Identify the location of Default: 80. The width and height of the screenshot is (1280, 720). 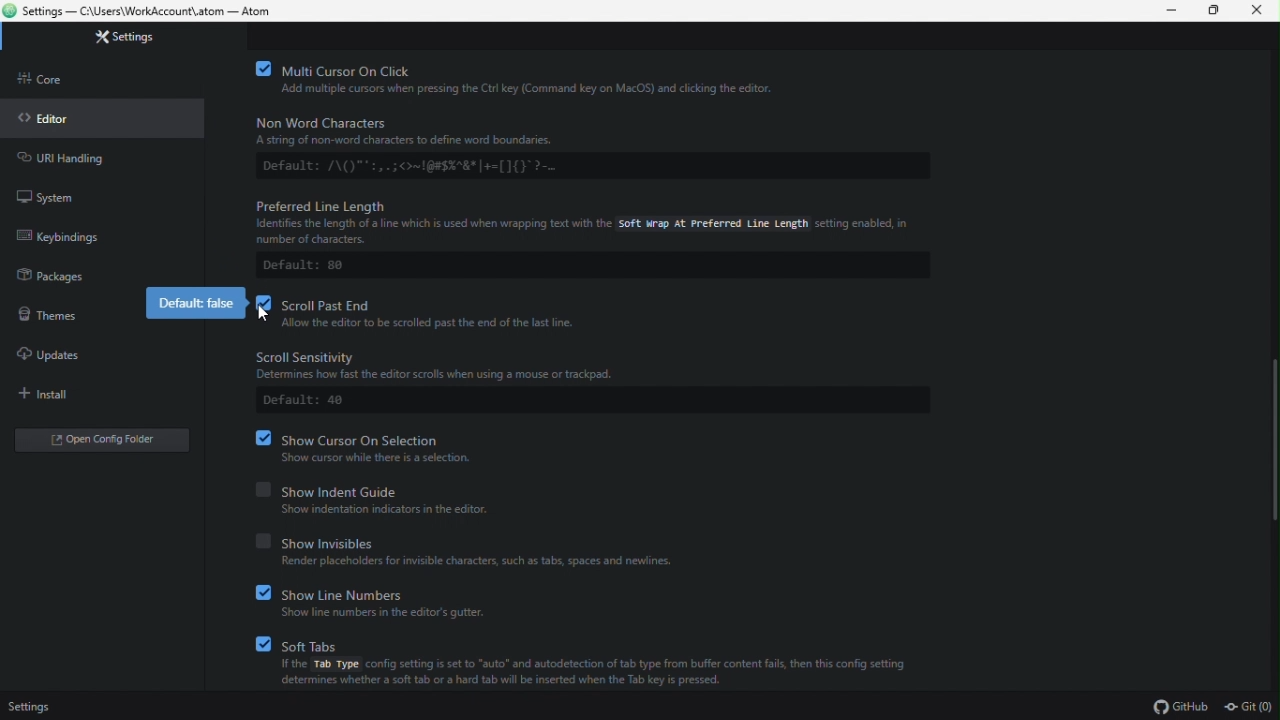
(308, 266).